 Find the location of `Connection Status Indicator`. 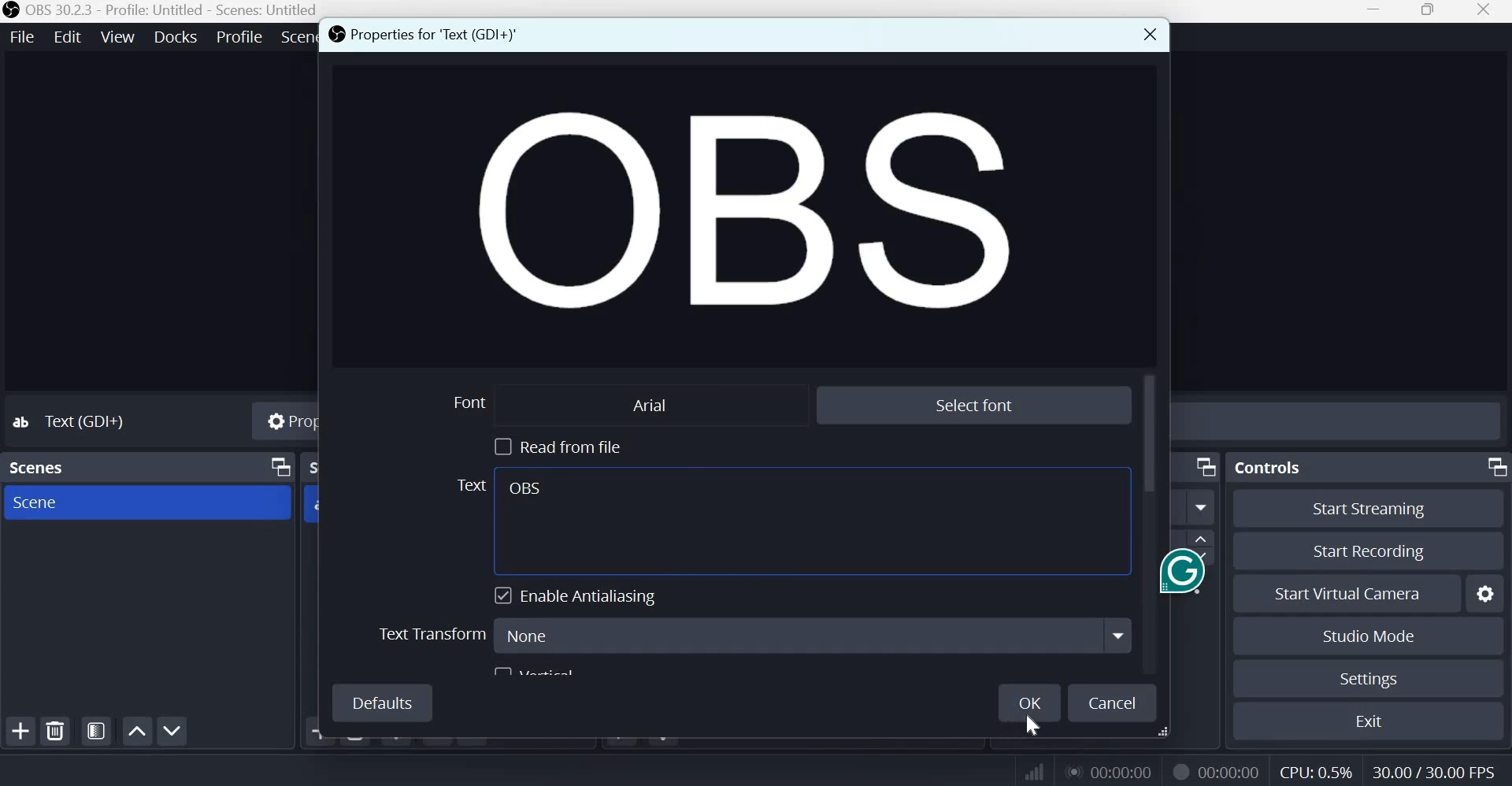

Connection Status Indicator is located at coordinates (1036, 769).